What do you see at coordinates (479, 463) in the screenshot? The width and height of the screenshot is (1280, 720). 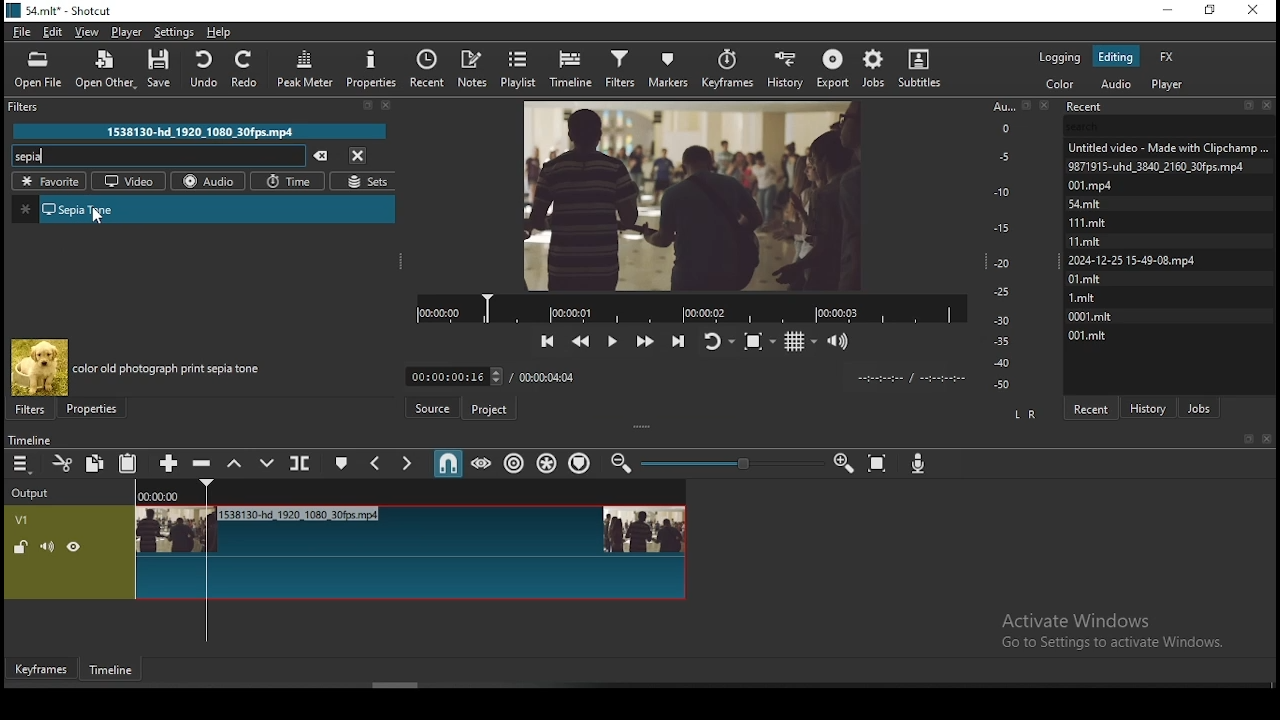 I see `scrub while dragging` at bounding box center [479, 463].